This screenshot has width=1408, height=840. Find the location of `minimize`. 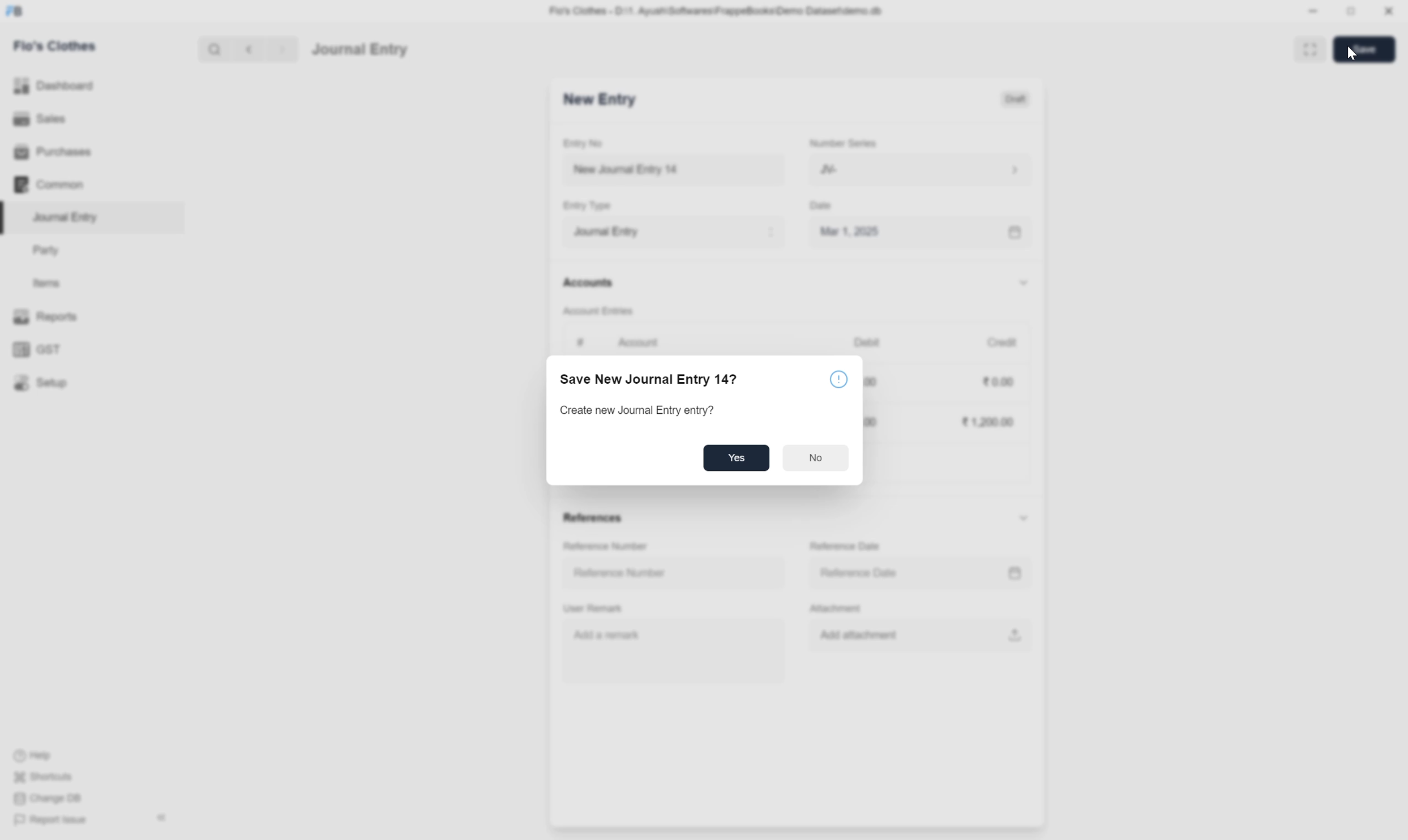

minimize is located at coordinates (1313, 12).